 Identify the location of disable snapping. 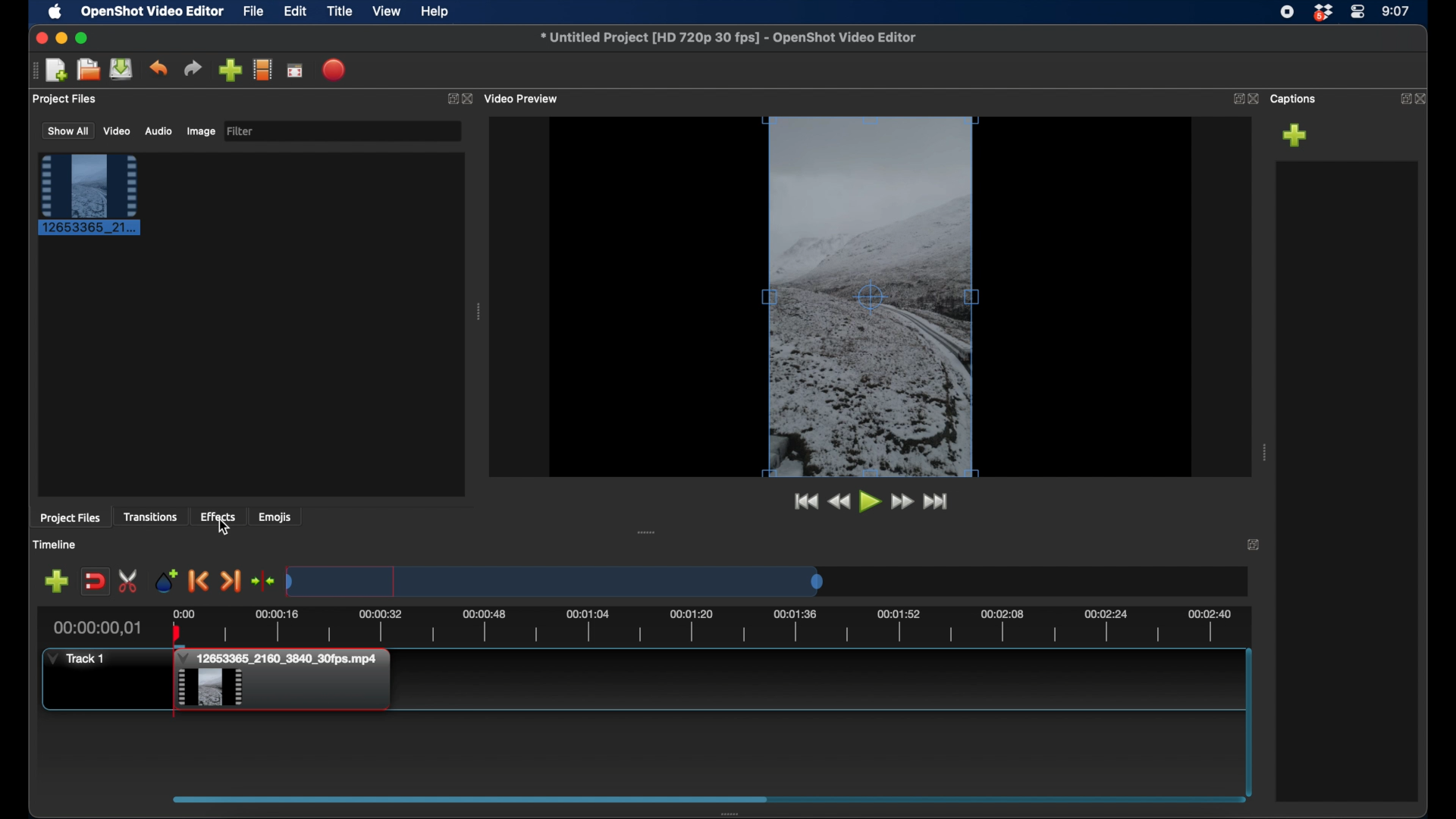
(94, 582).